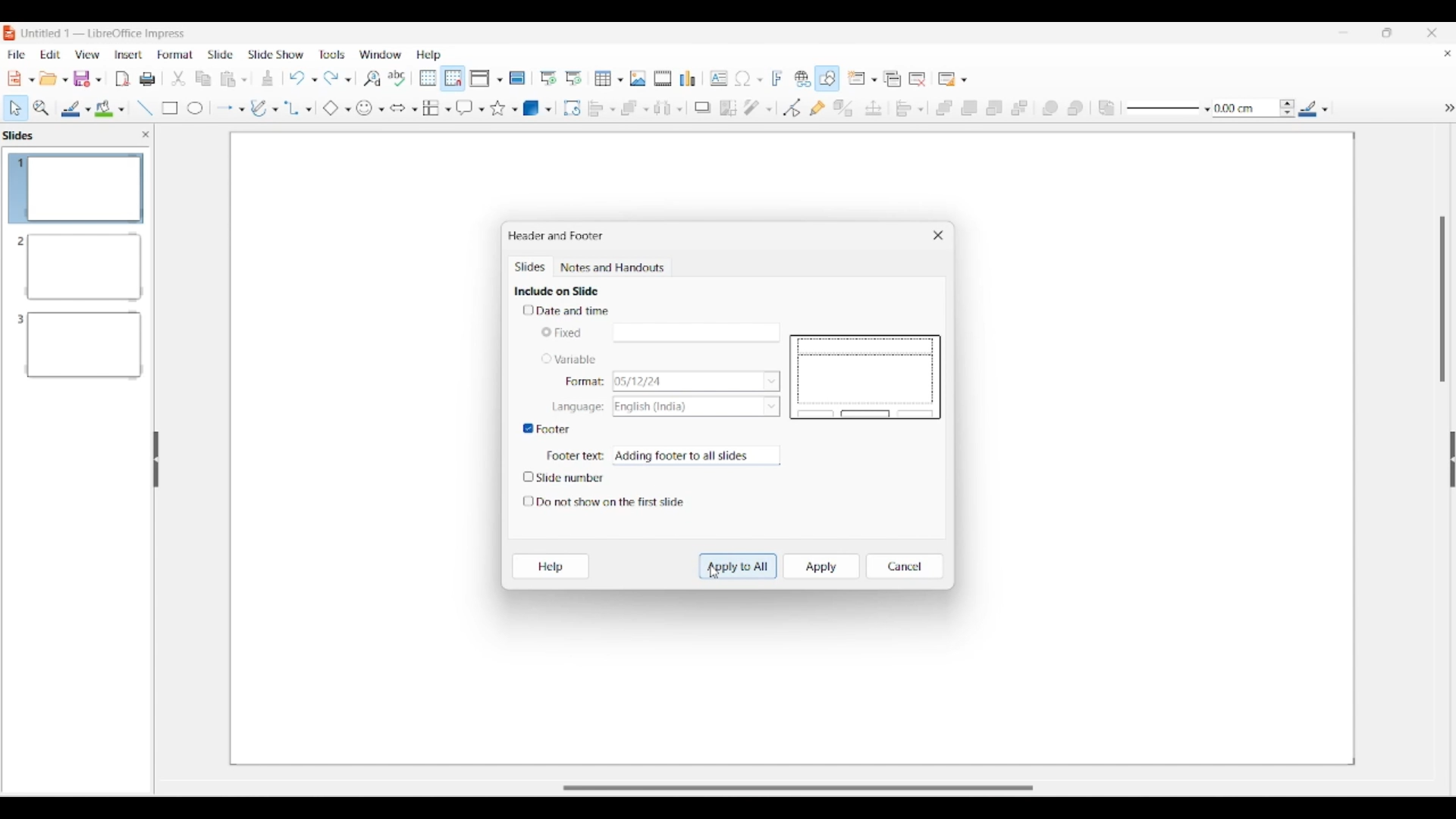  What do you see at coordinates (504, 108) in the screenshot?
I see `Star and banner options` at bounding box center [504, 108].